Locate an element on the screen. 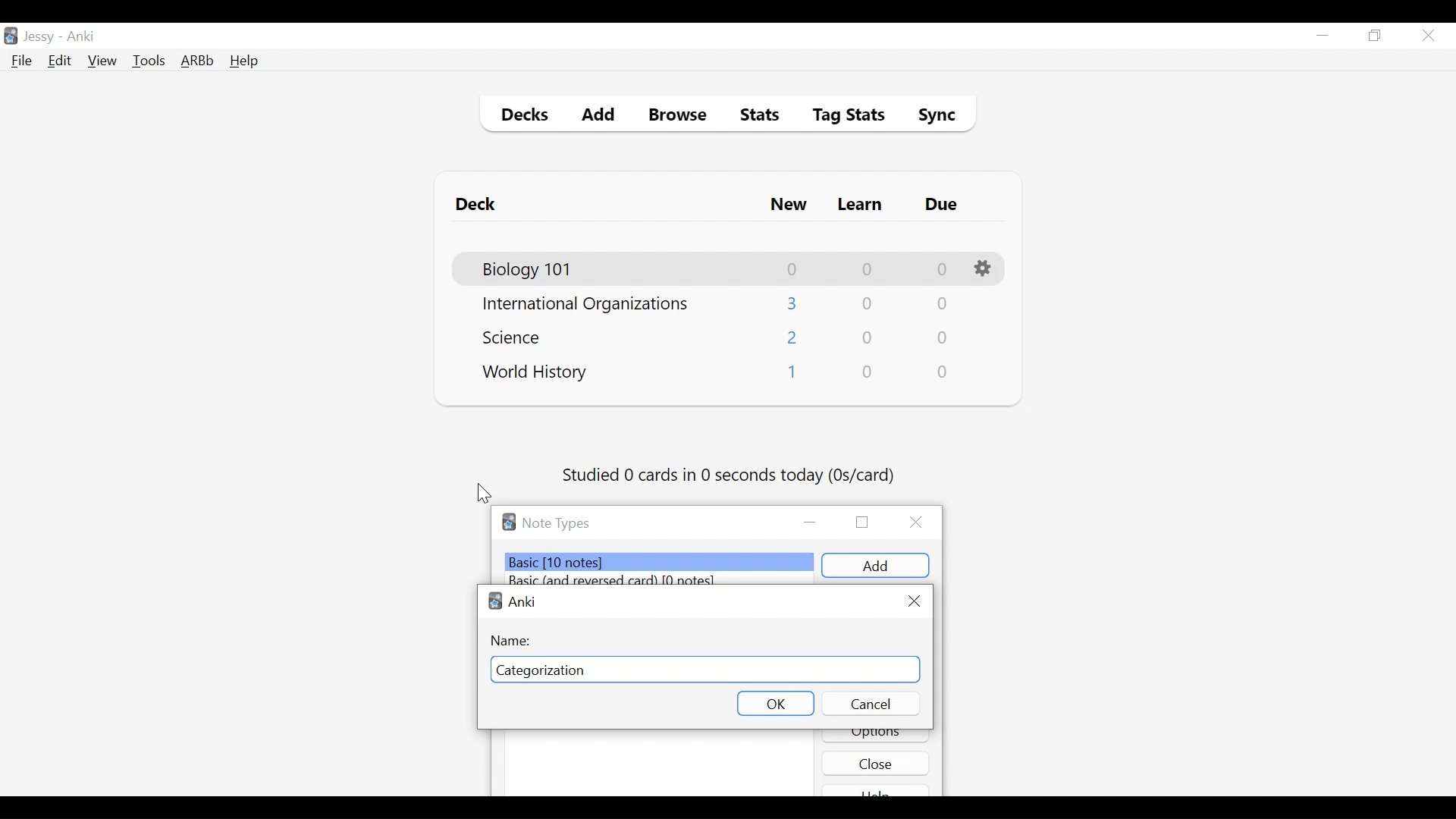  Stats is located at coordinates (755, 115).